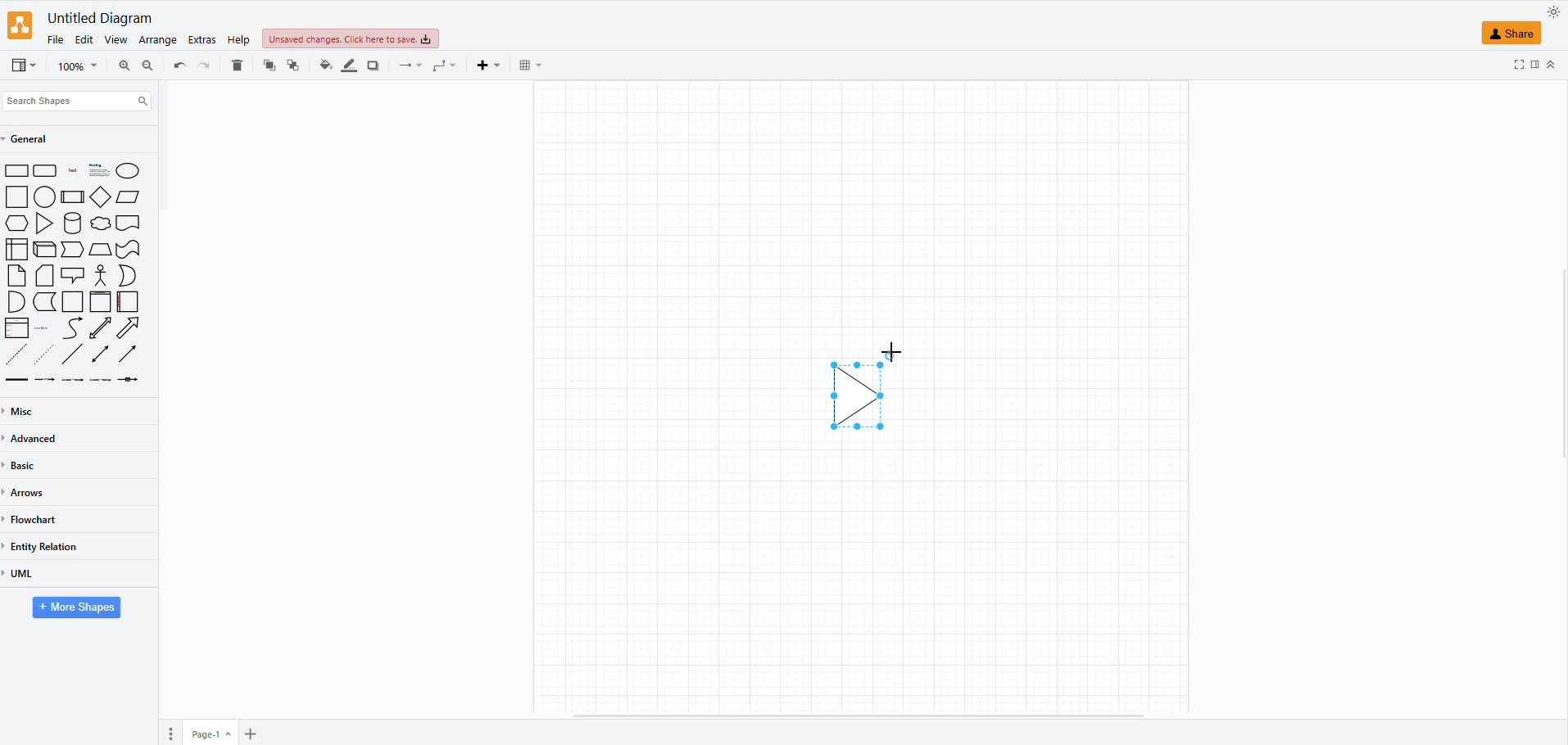 Image resolution: width=1568 pixels, height=745 pixels. Describe the element at coordinates (73, 302) in the screenshot. I see `Page` at that location.